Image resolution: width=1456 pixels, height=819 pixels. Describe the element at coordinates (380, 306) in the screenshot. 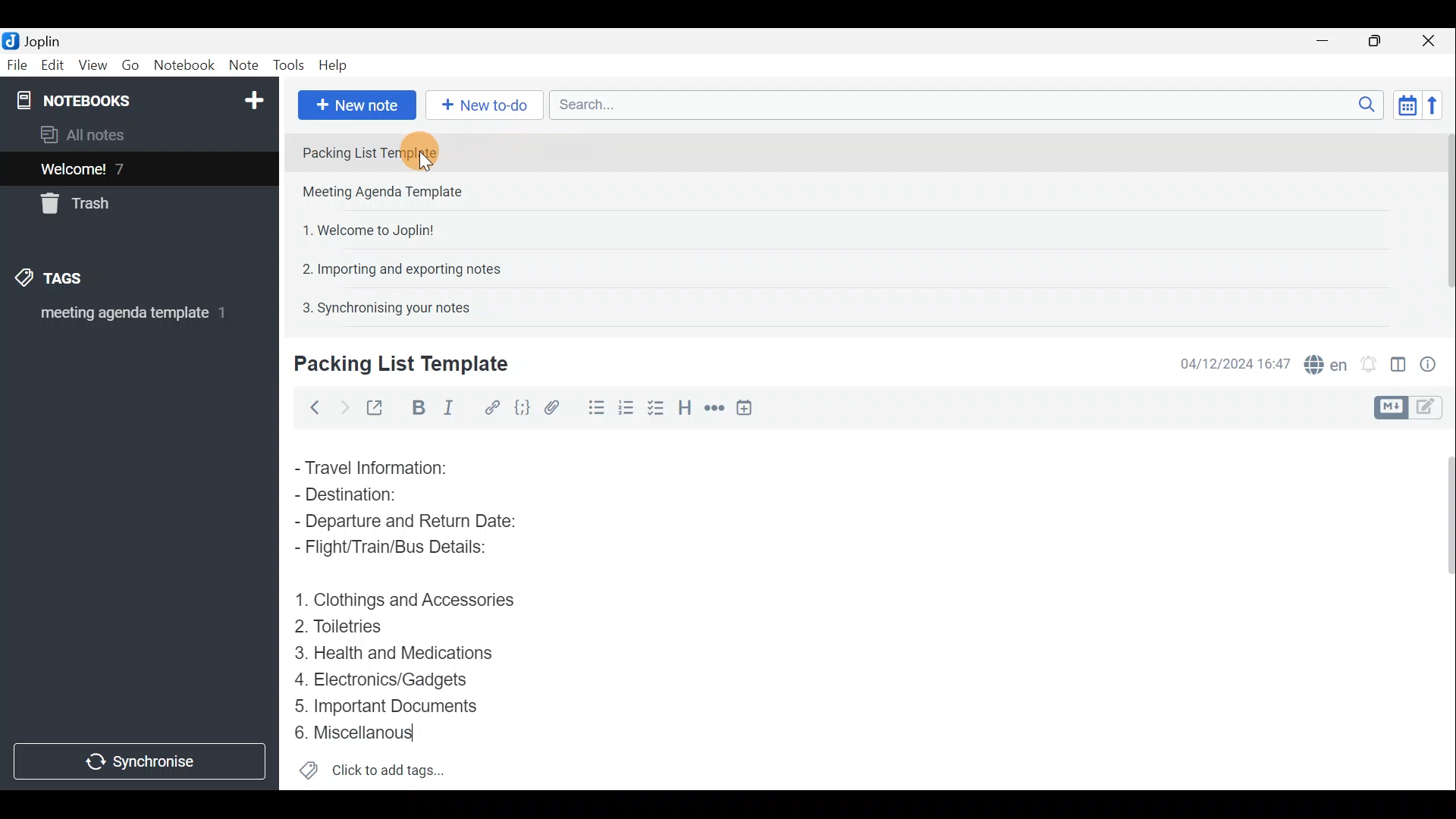

I see `Note 5` at that location.